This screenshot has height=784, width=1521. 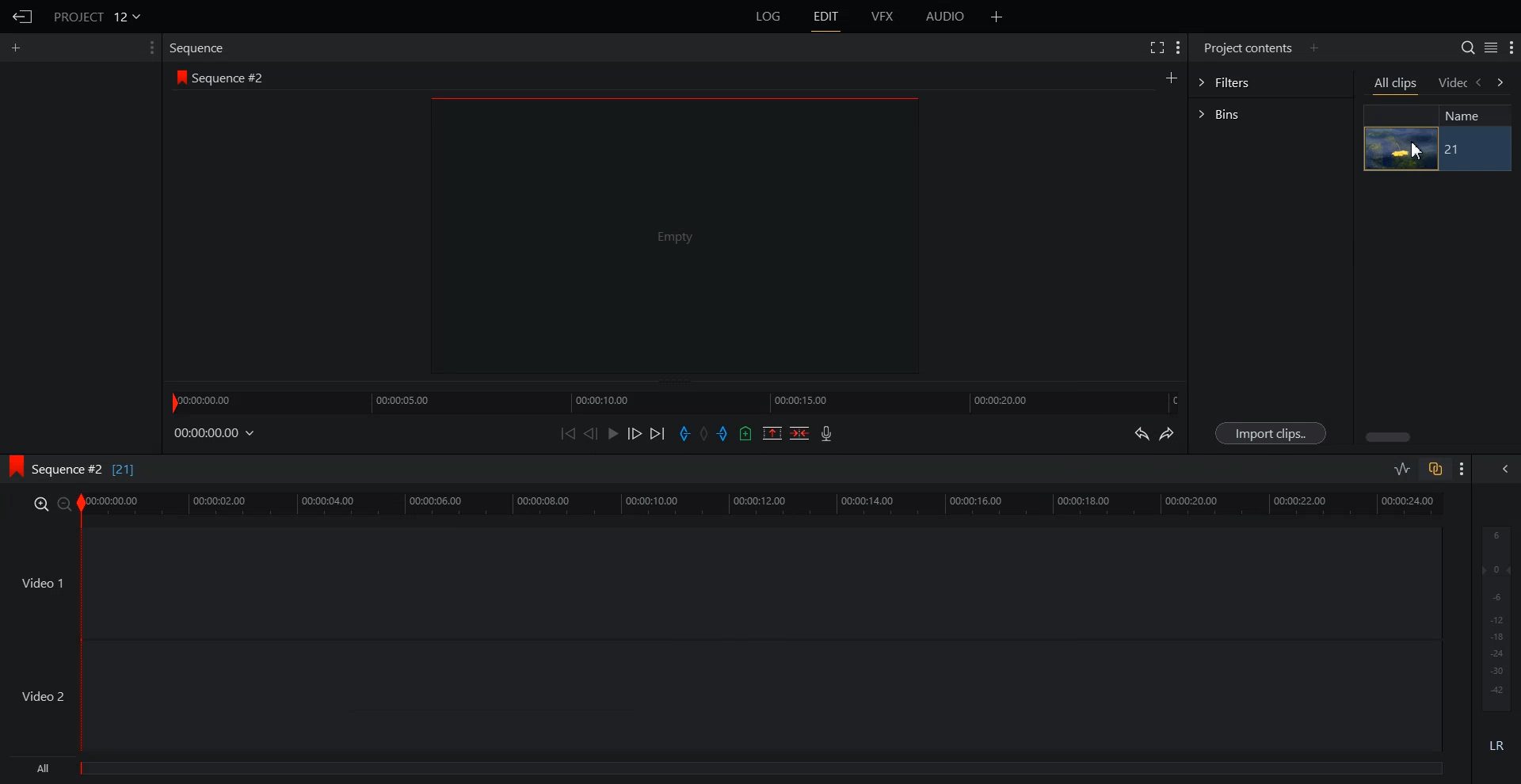 I want to click on Move Forward, so click(x=658, y=433).